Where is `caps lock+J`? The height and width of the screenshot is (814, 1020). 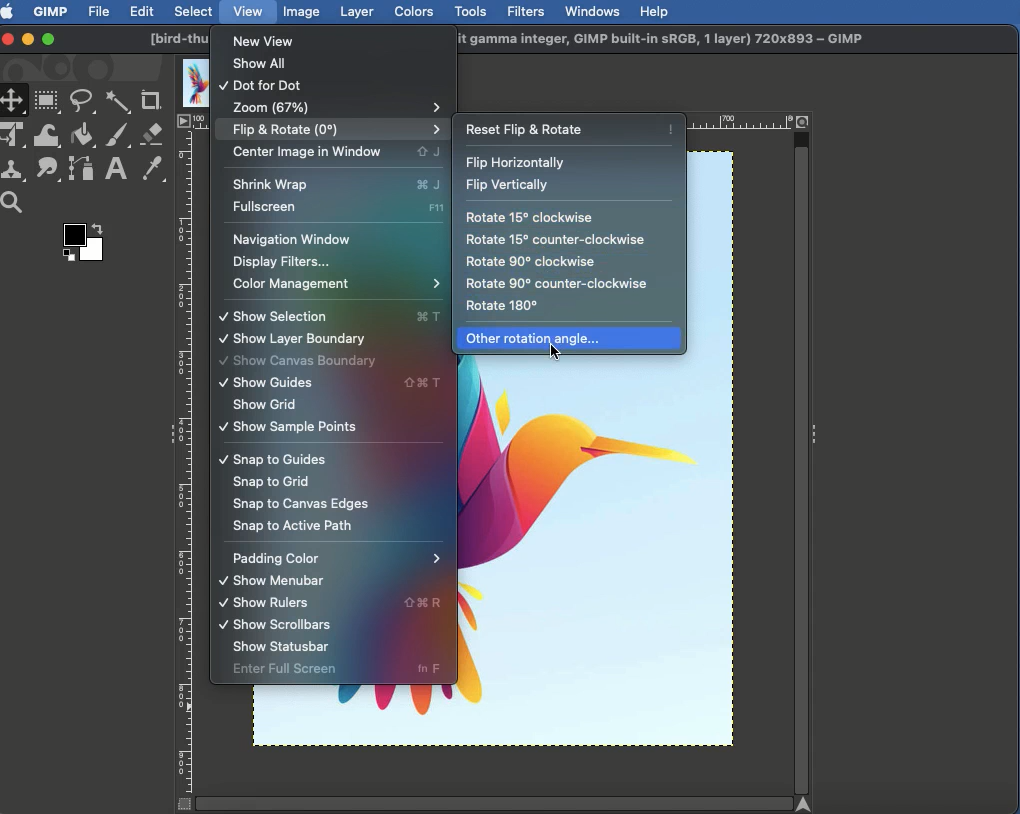
caps lock+J is located at coordinates (429, 152).